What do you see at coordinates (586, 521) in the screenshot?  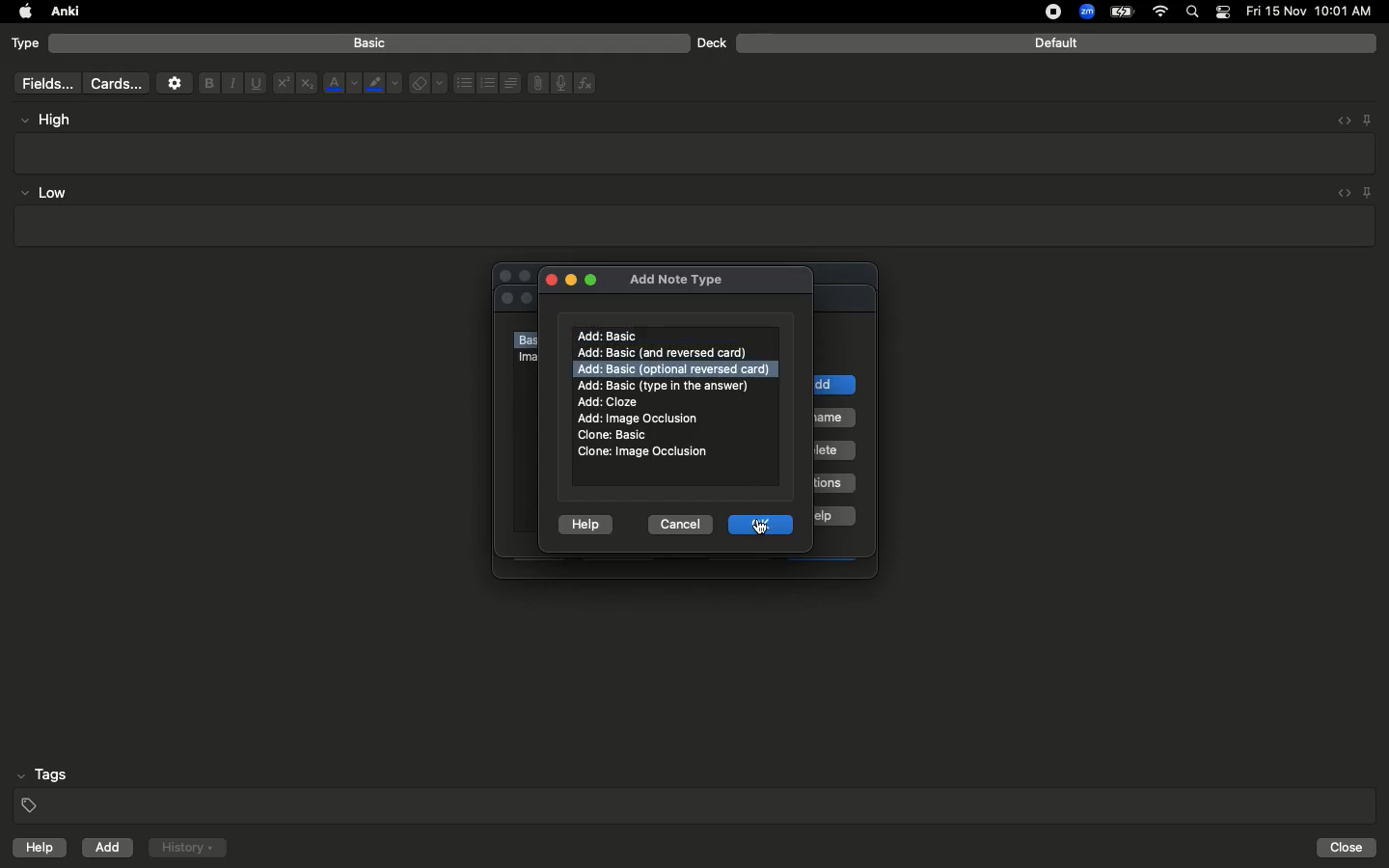 I see `Help` at bounding box center [586, 521].